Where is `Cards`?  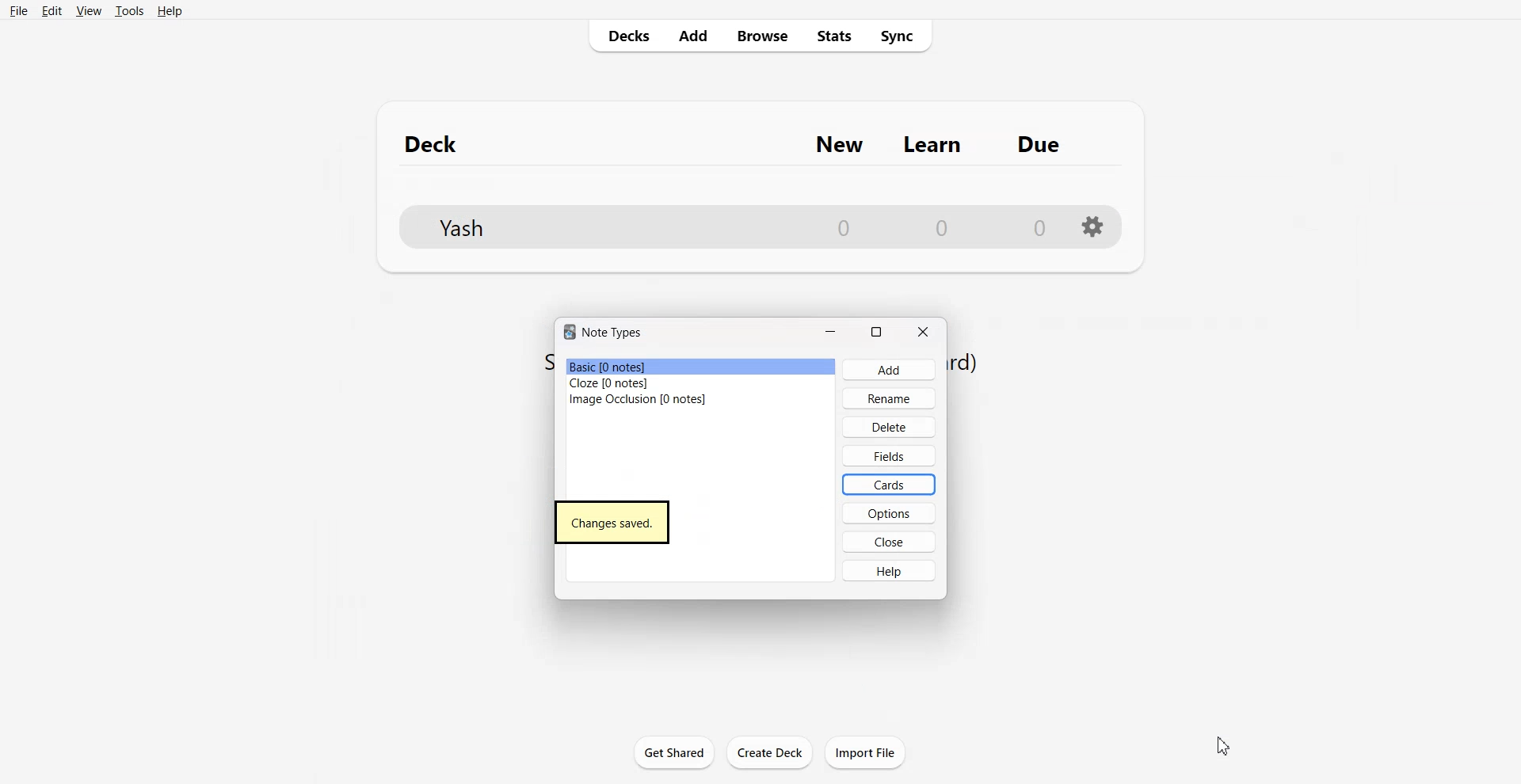 Cards is located at coordinates (888, 484).